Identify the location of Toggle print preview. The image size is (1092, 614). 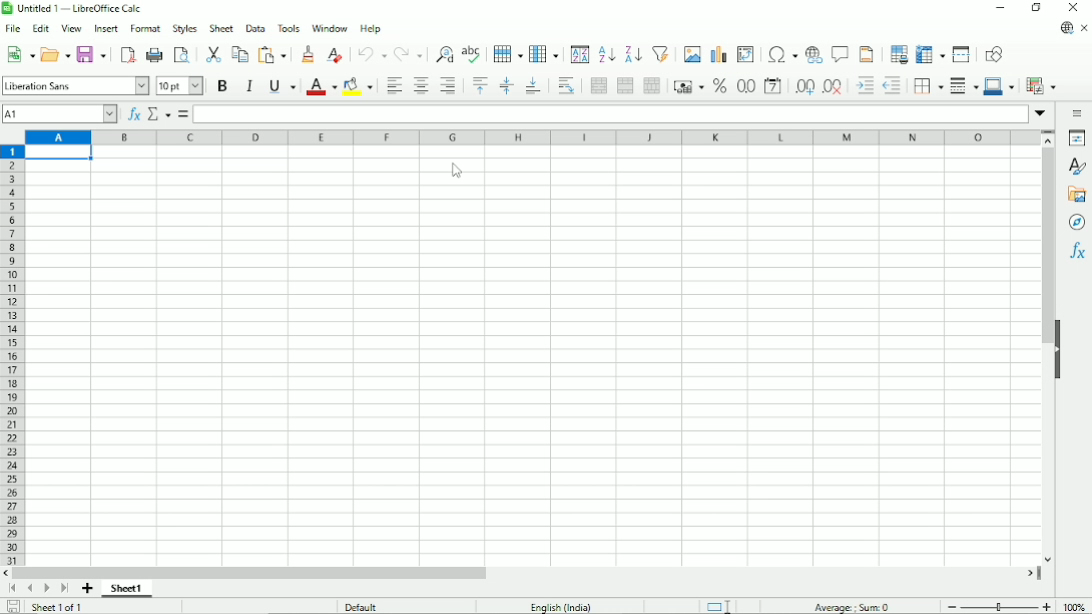
(183, 56).